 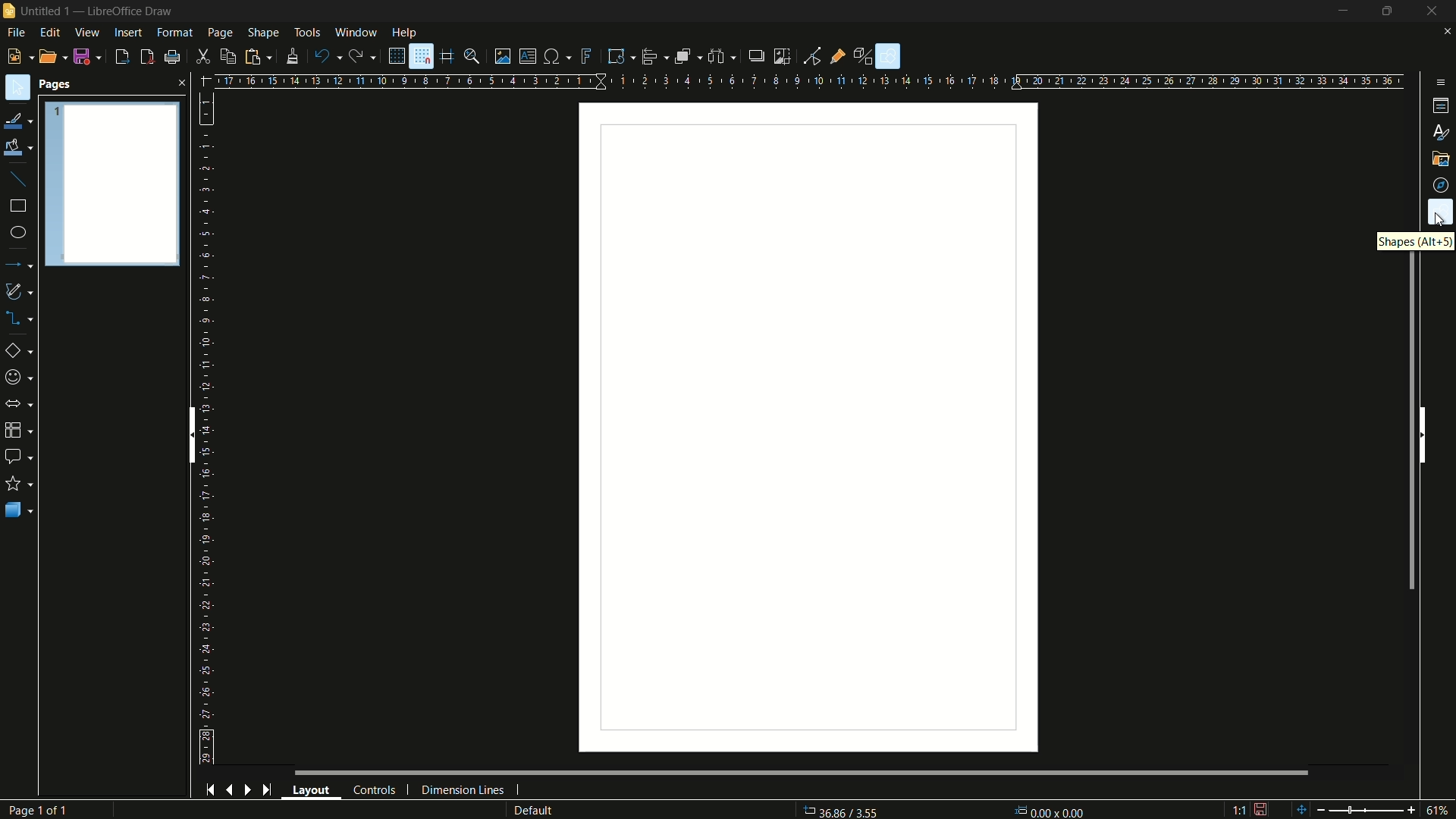 I want to click on navigator, so click(x=1442, y=185).